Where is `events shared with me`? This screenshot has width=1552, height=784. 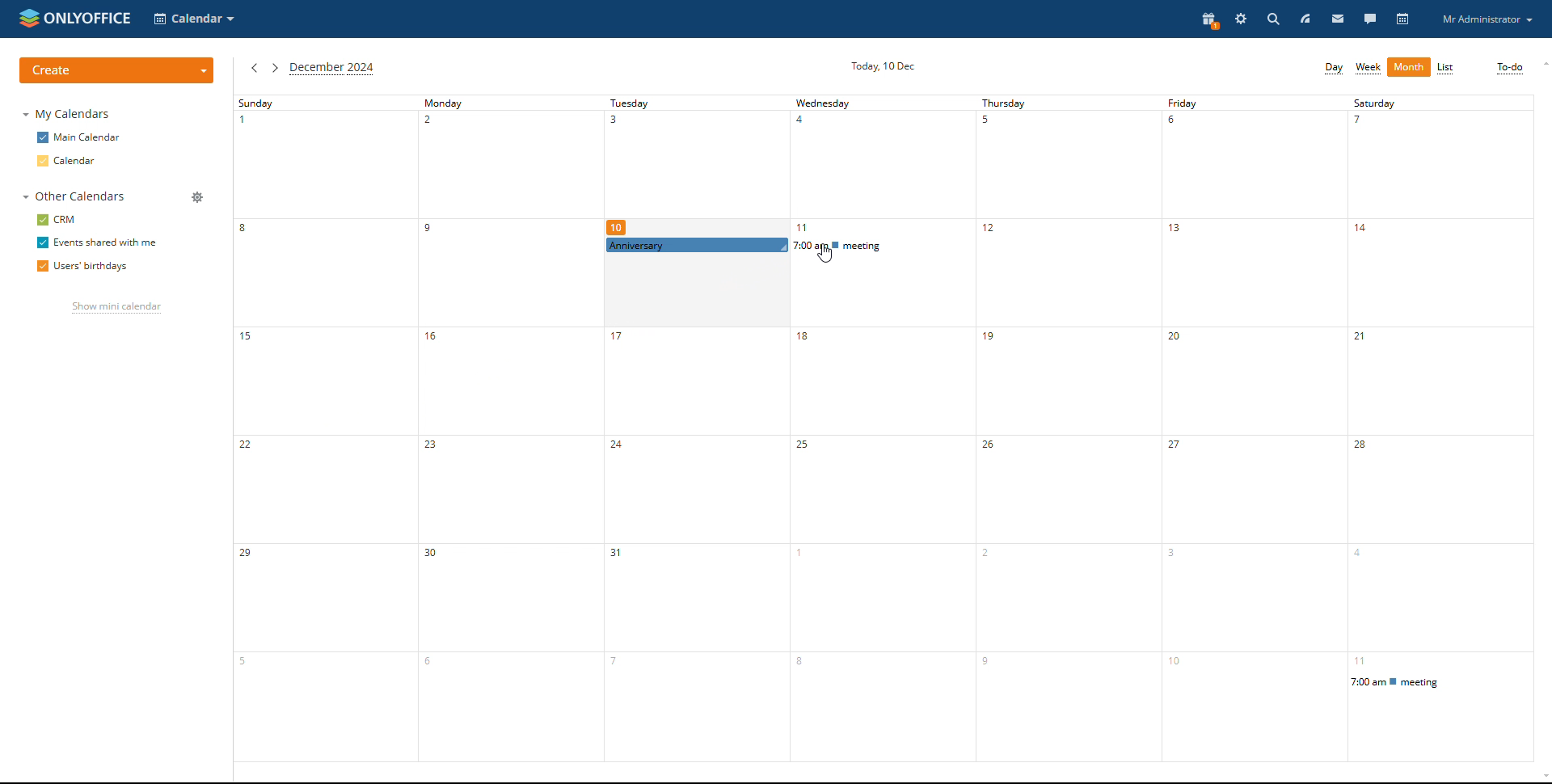 events shared with me is located at coordinates (95, 242).